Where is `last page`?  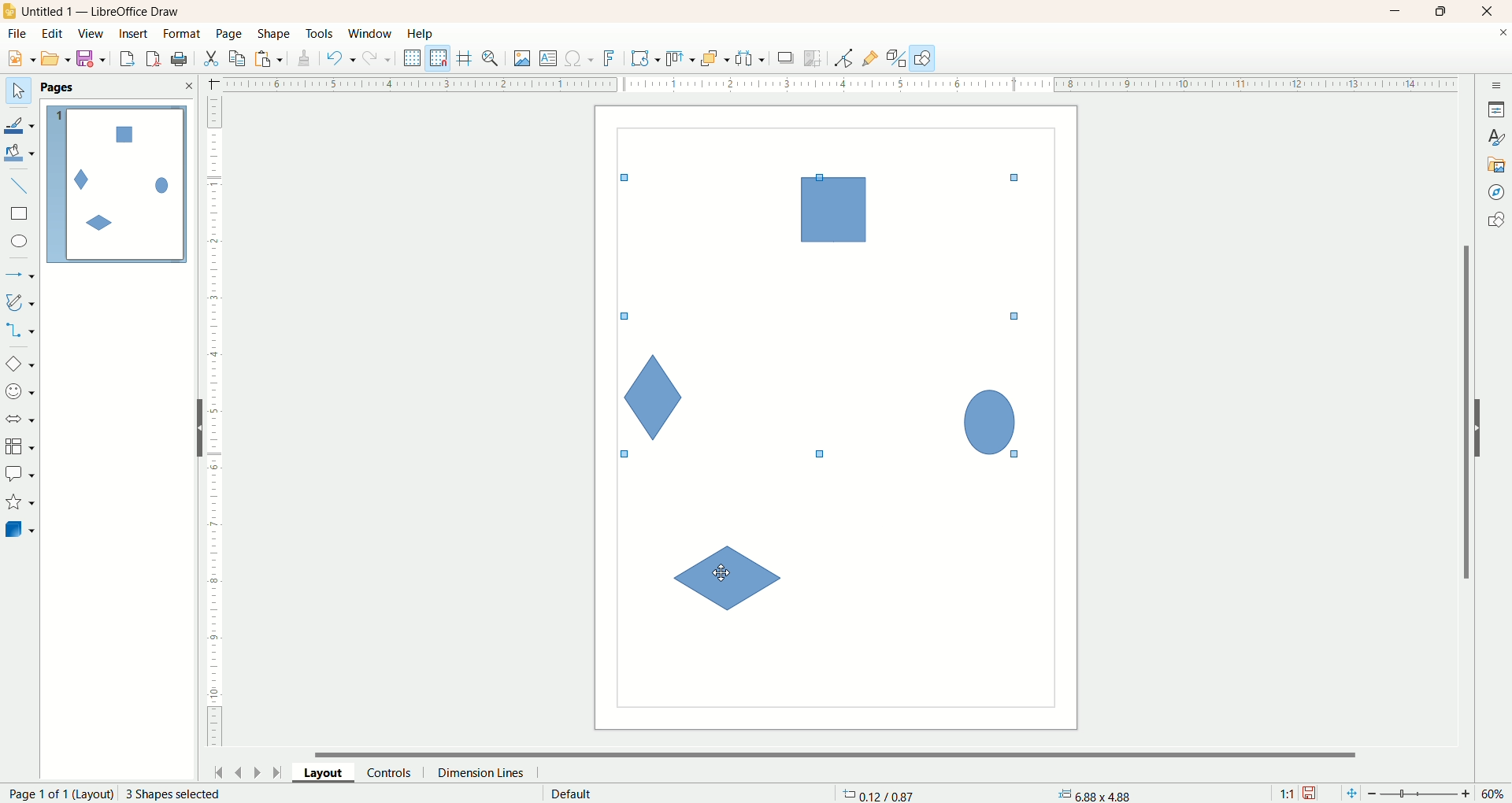 last page is located at coordinates (280, 771).